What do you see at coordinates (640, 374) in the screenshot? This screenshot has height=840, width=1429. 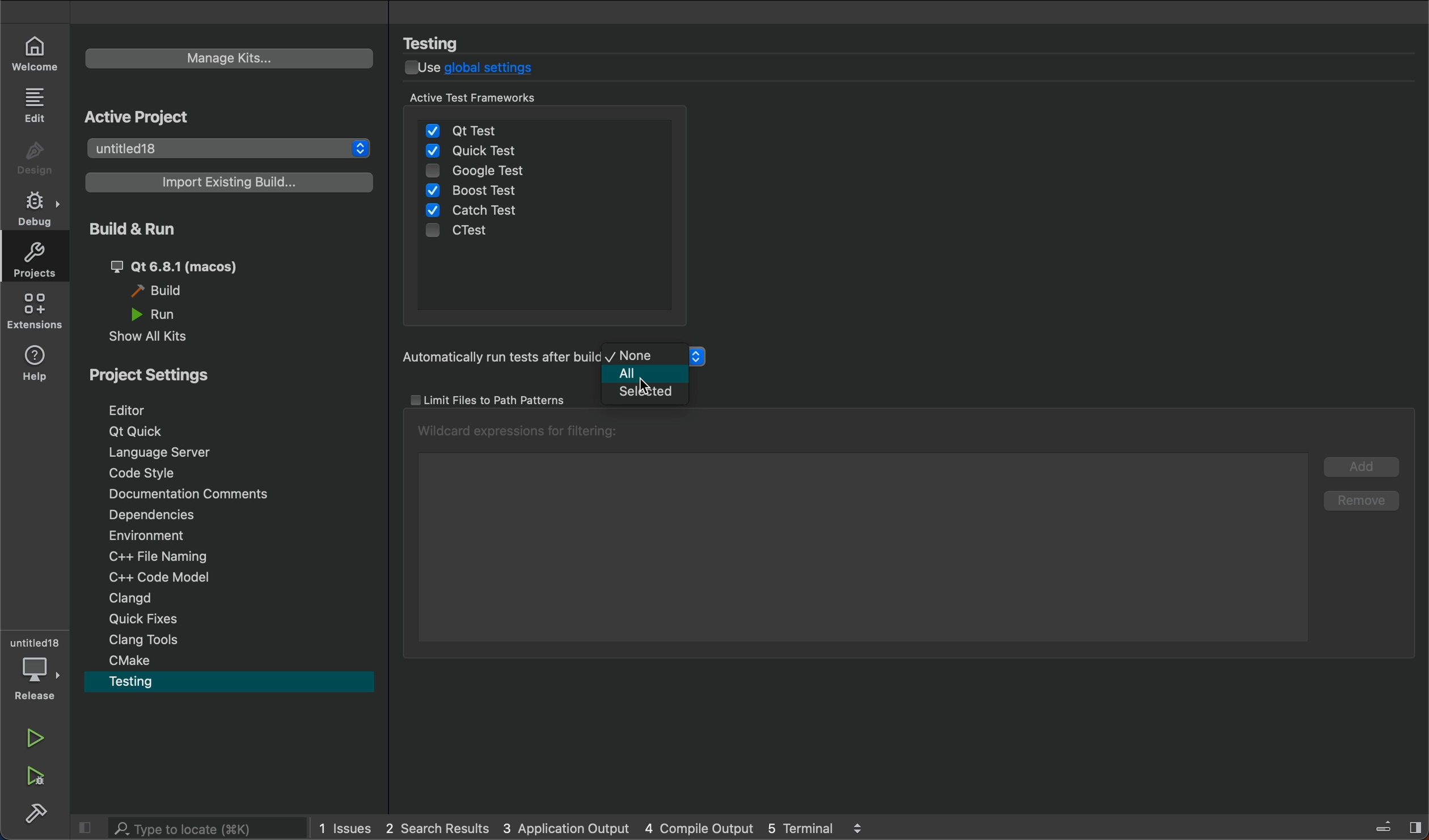 I see `all` at bounding box center [640, 374].